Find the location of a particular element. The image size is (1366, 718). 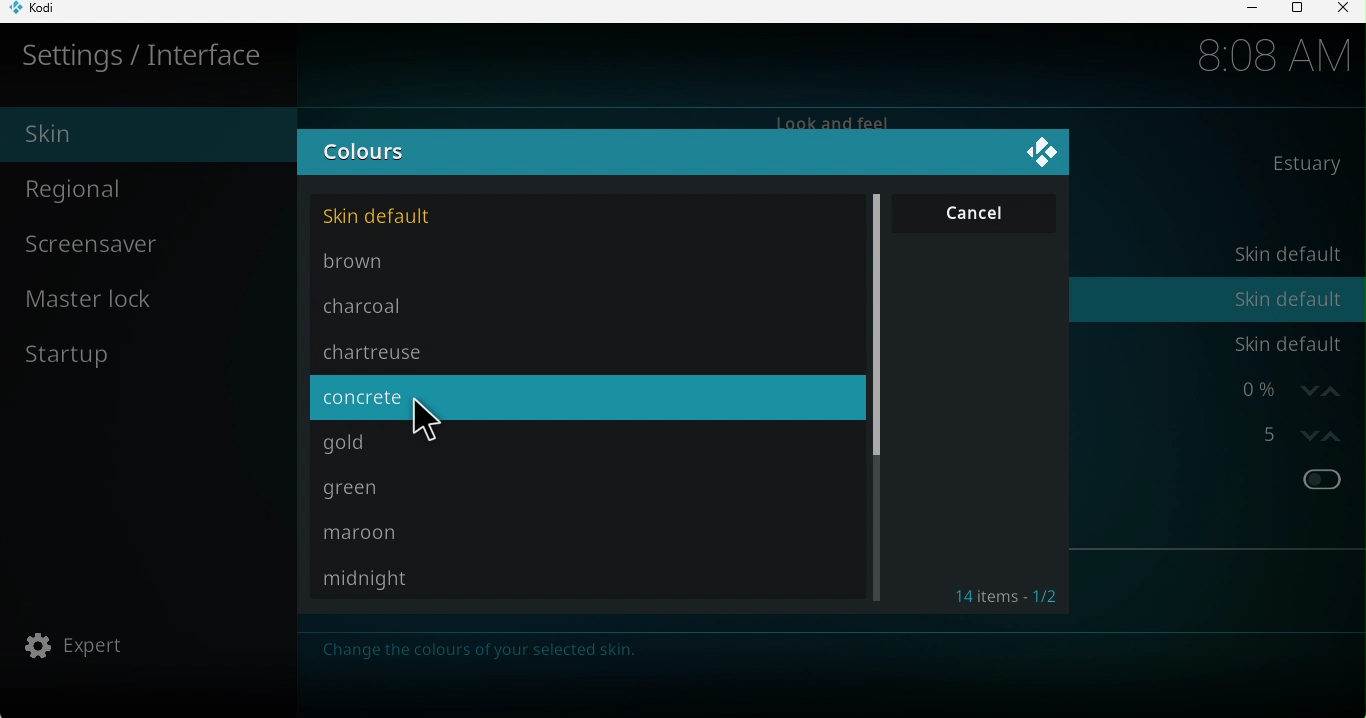

Zoom is located at coordinates (1218, 390).